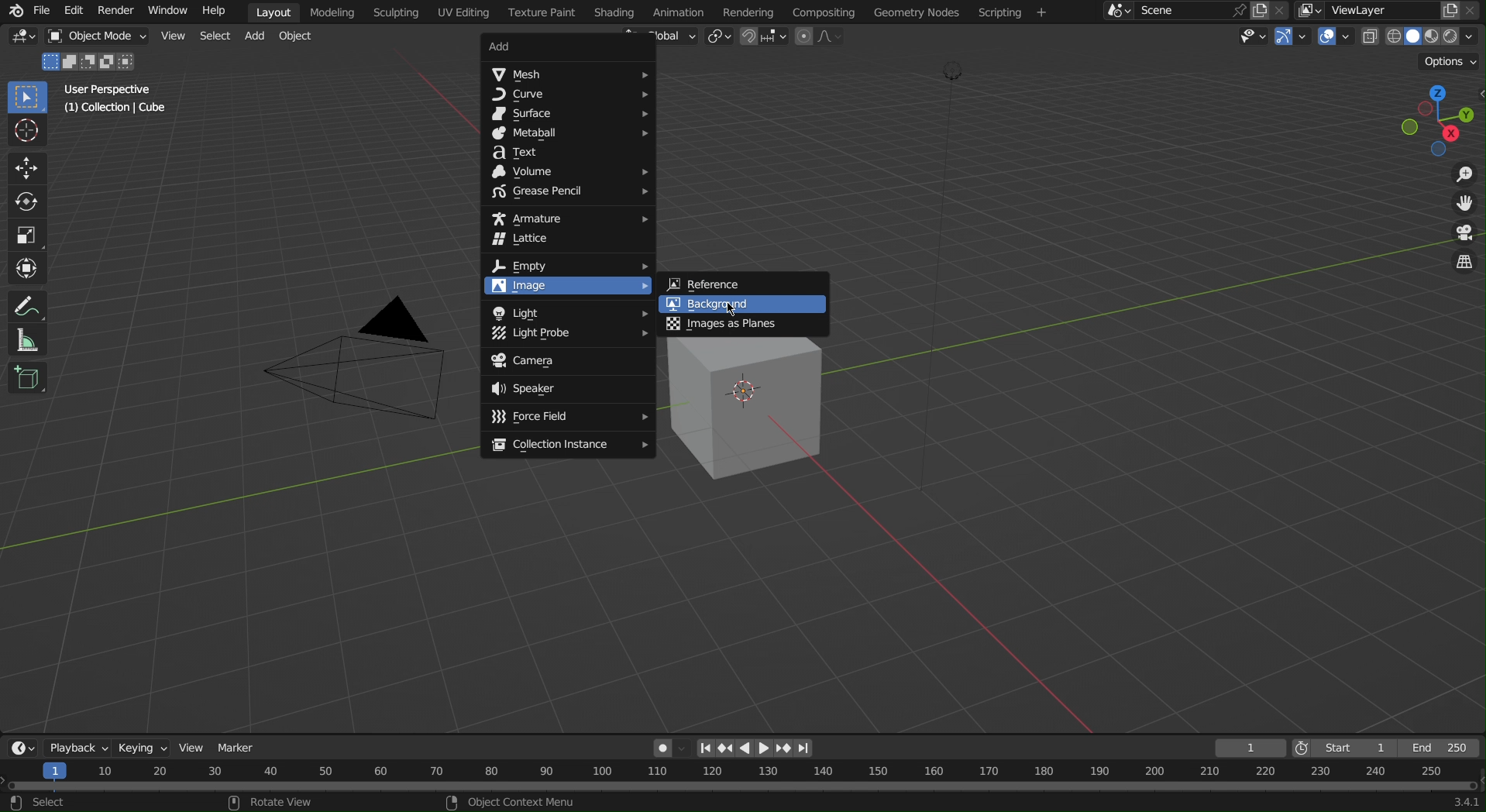 The image size is (1486, 812). Describe the element at coordinates (668, 37) in the screenshot. I see `Global` at that location.